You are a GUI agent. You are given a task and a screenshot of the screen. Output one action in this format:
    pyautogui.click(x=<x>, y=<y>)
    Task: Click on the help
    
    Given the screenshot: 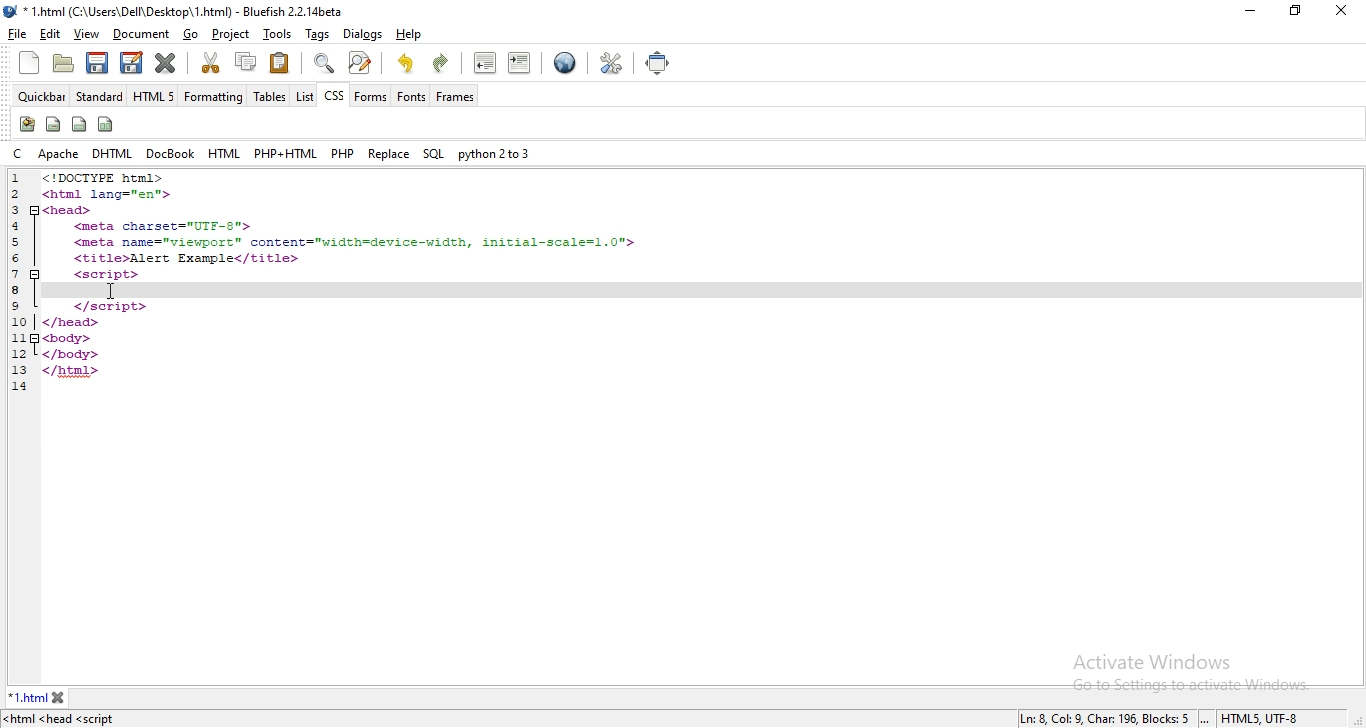 What is the action you would take?
    pyautogui.click(x=407, y=36)
    